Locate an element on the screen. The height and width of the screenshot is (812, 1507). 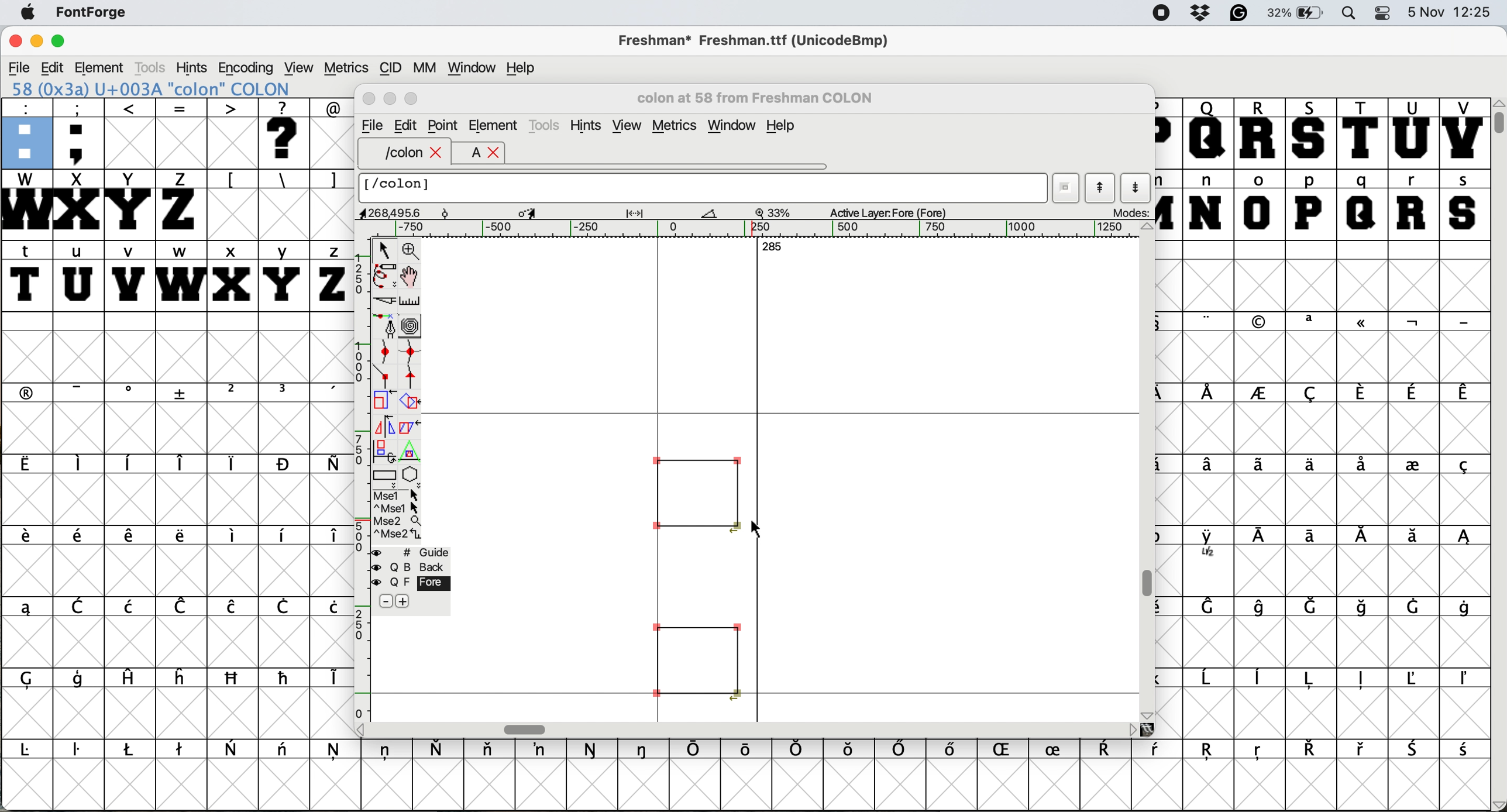
encoding is located at coordinates (246, 68).